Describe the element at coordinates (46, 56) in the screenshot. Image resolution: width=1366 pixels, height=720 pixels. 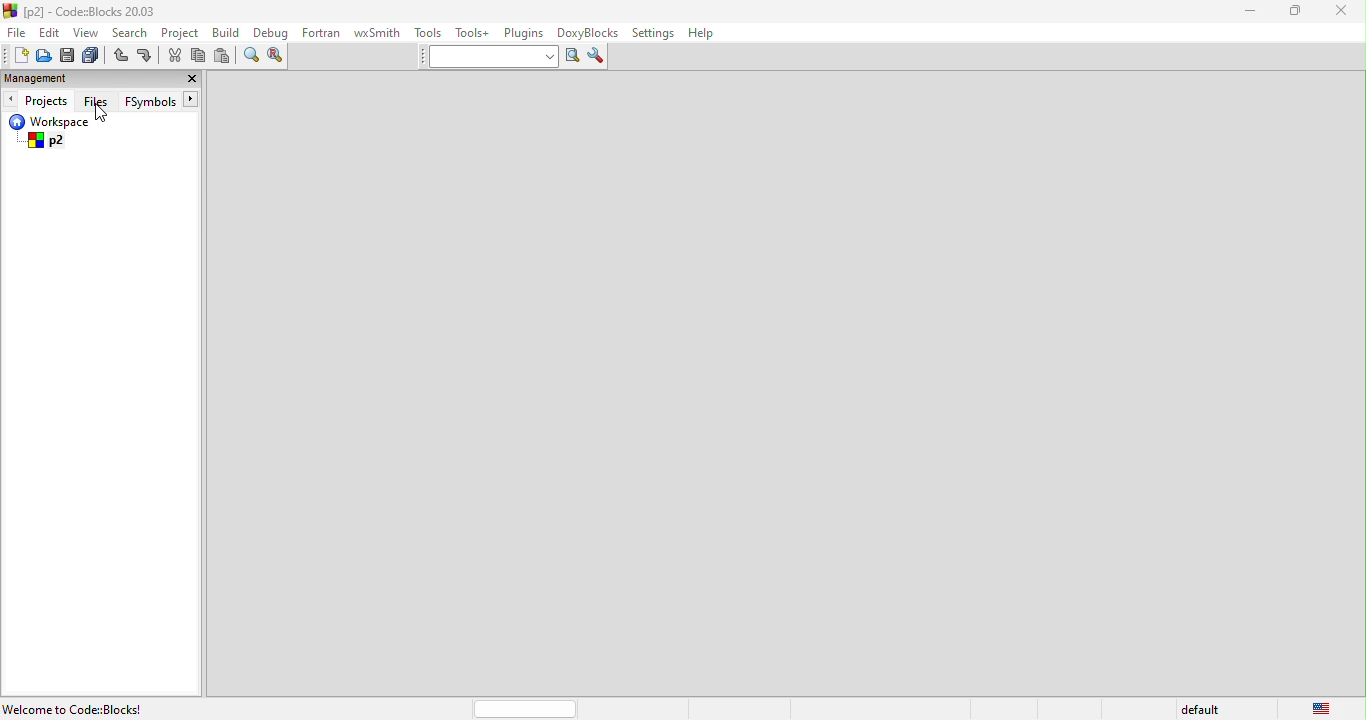
I see `open` at that location.